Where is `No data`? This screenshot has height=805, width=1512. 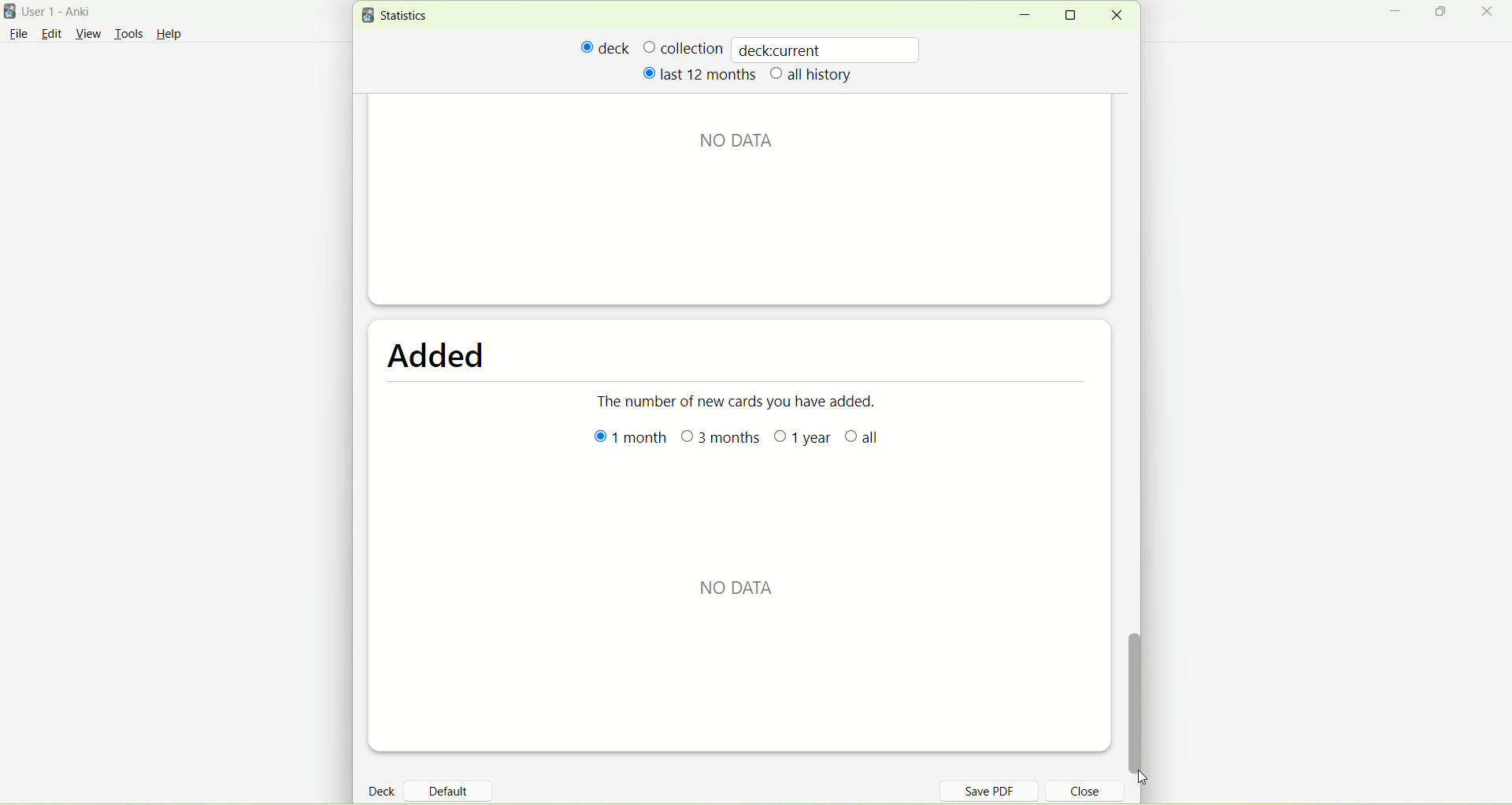 No data is located at coordinates (739, 581).